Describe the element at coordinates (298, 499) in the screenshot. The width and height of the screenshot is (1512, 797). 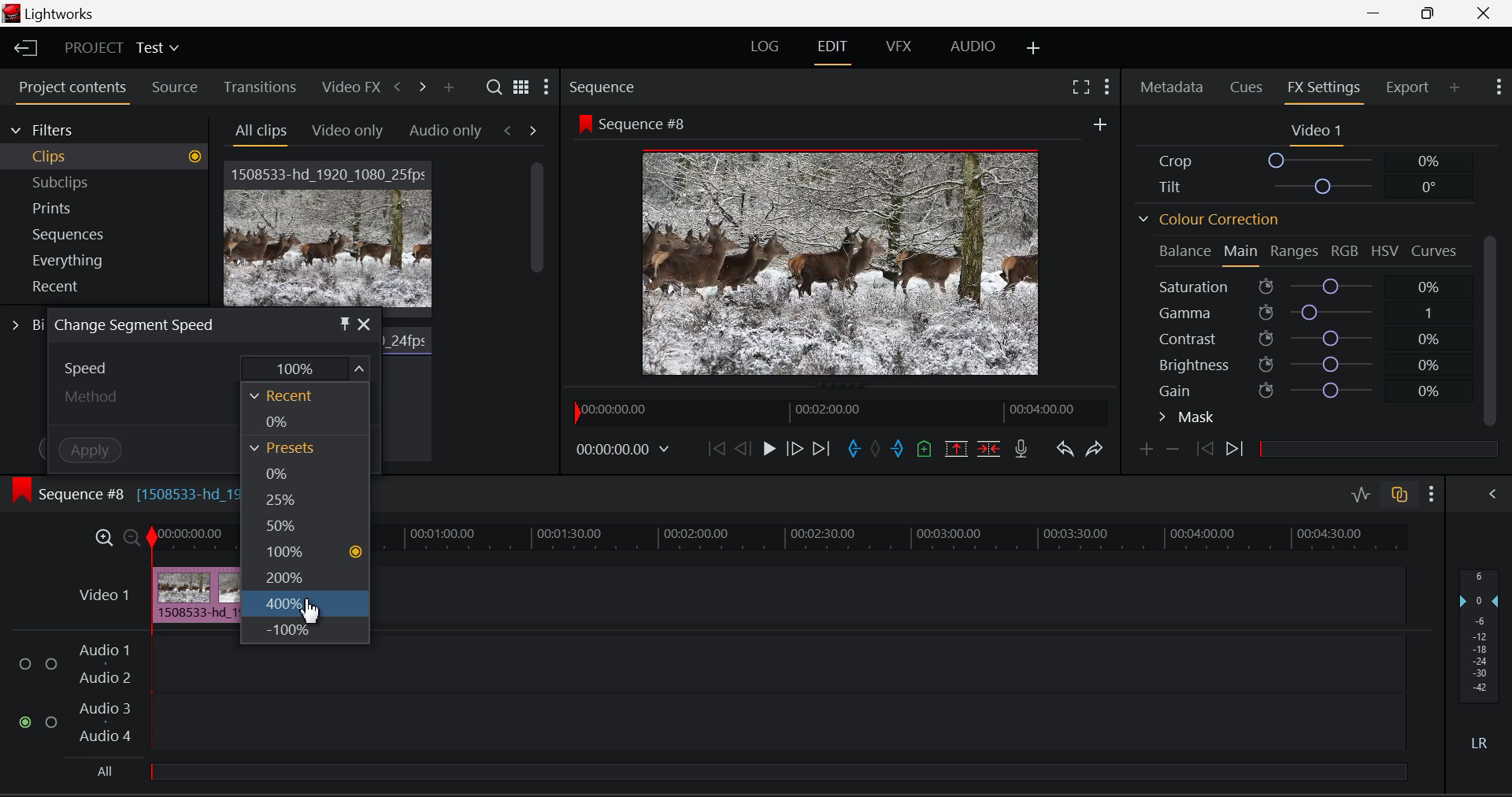
I see `25%` at that location.